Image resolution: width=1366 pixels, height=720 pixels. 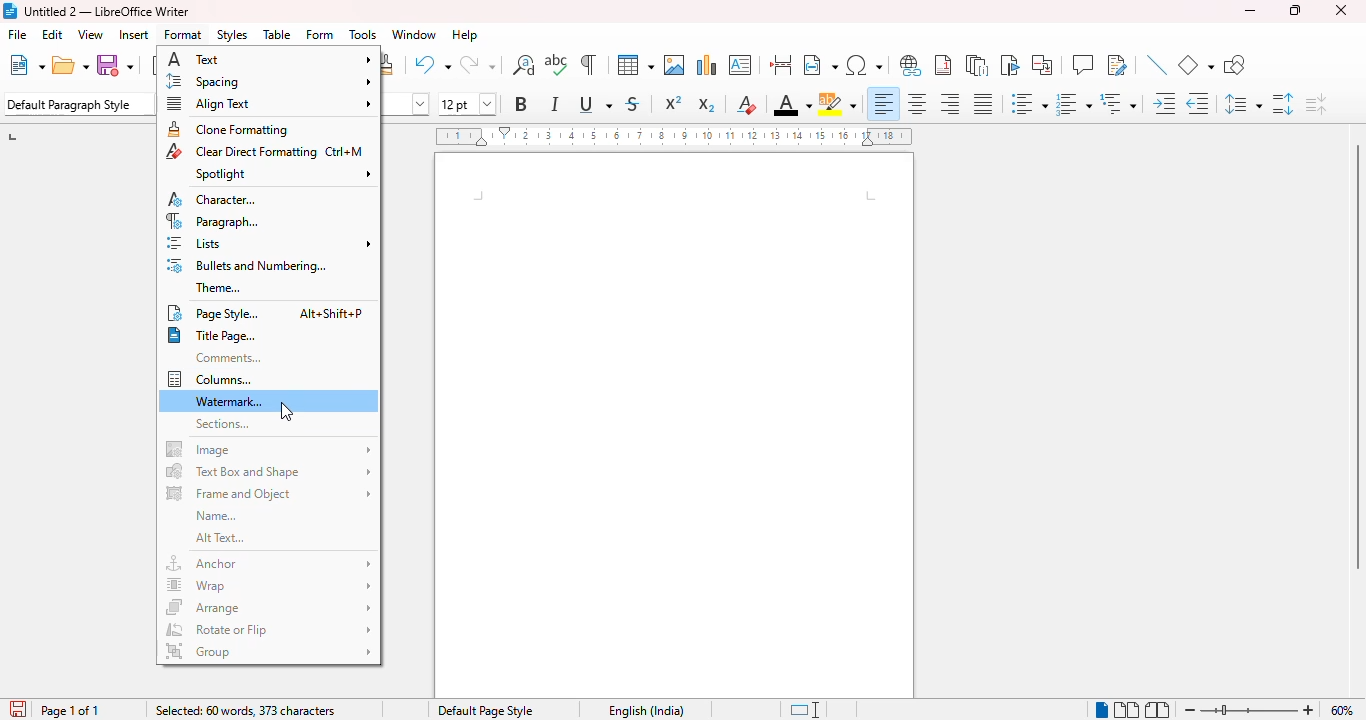 I want to click on format, so click(x=184, y=34).